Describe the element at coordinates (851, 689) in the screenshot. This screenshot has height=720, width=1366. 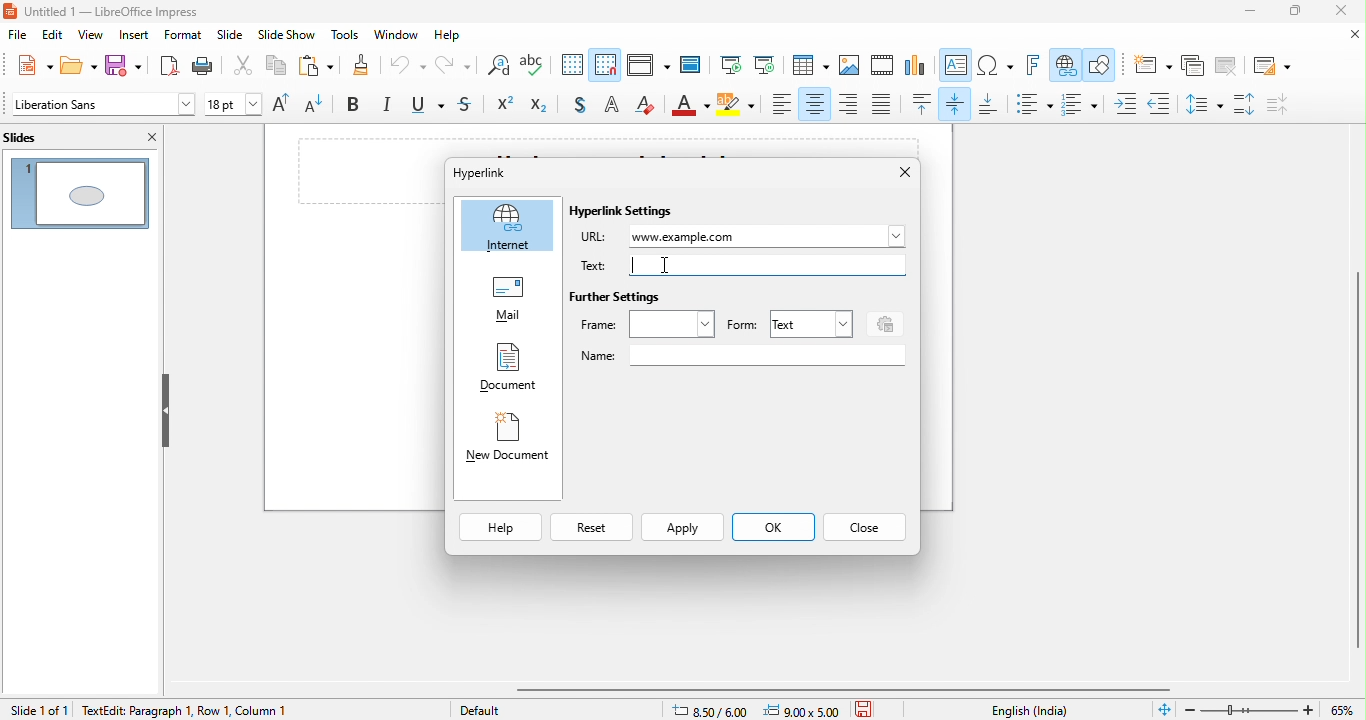
I see `horizontal scroll bar` at that location.